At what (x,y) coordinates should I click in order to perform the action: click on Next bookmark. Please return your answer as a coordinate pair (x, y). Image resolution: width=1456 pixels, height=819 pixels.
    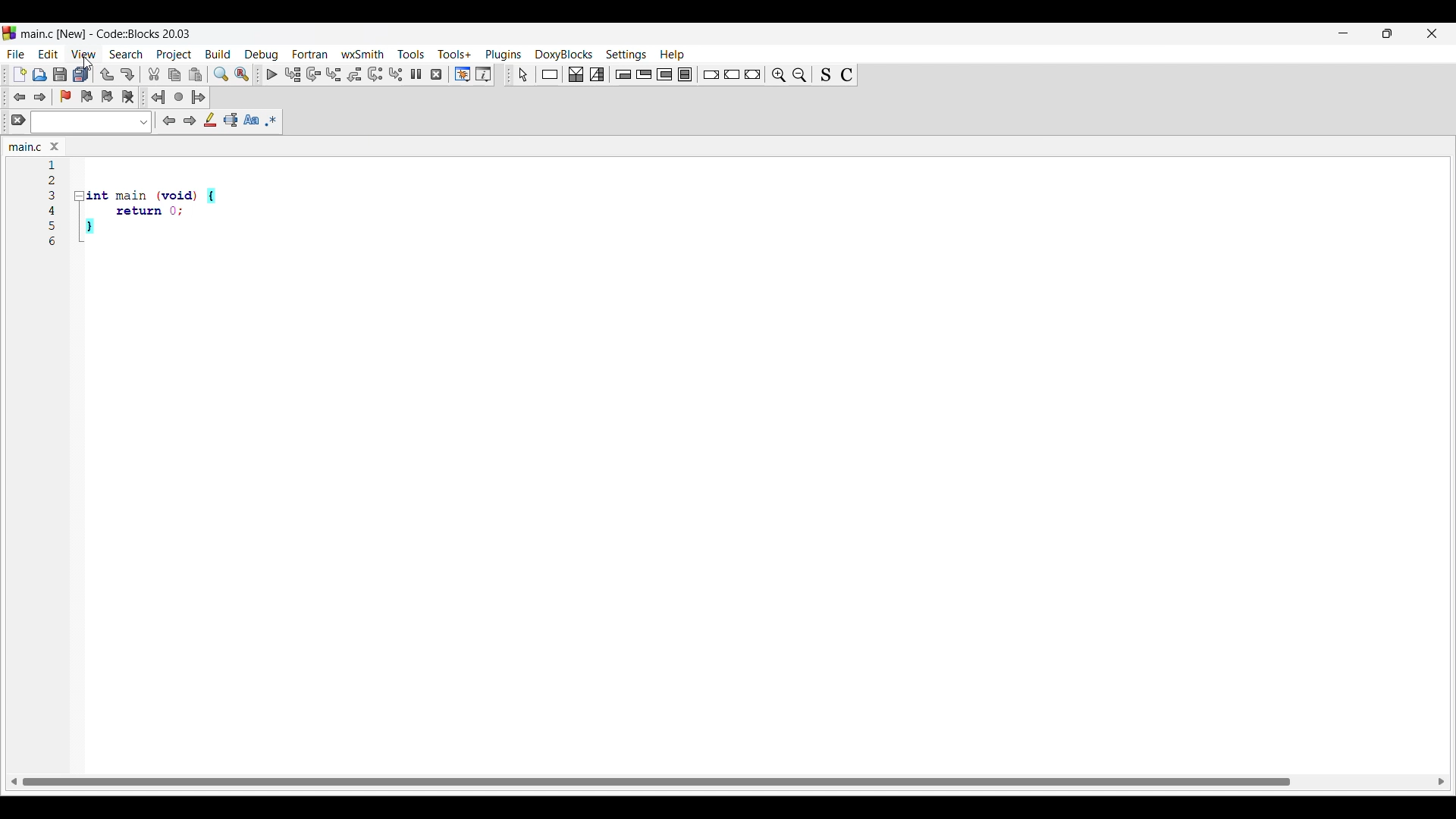
    Looking at the image, I should click on (107, 96).